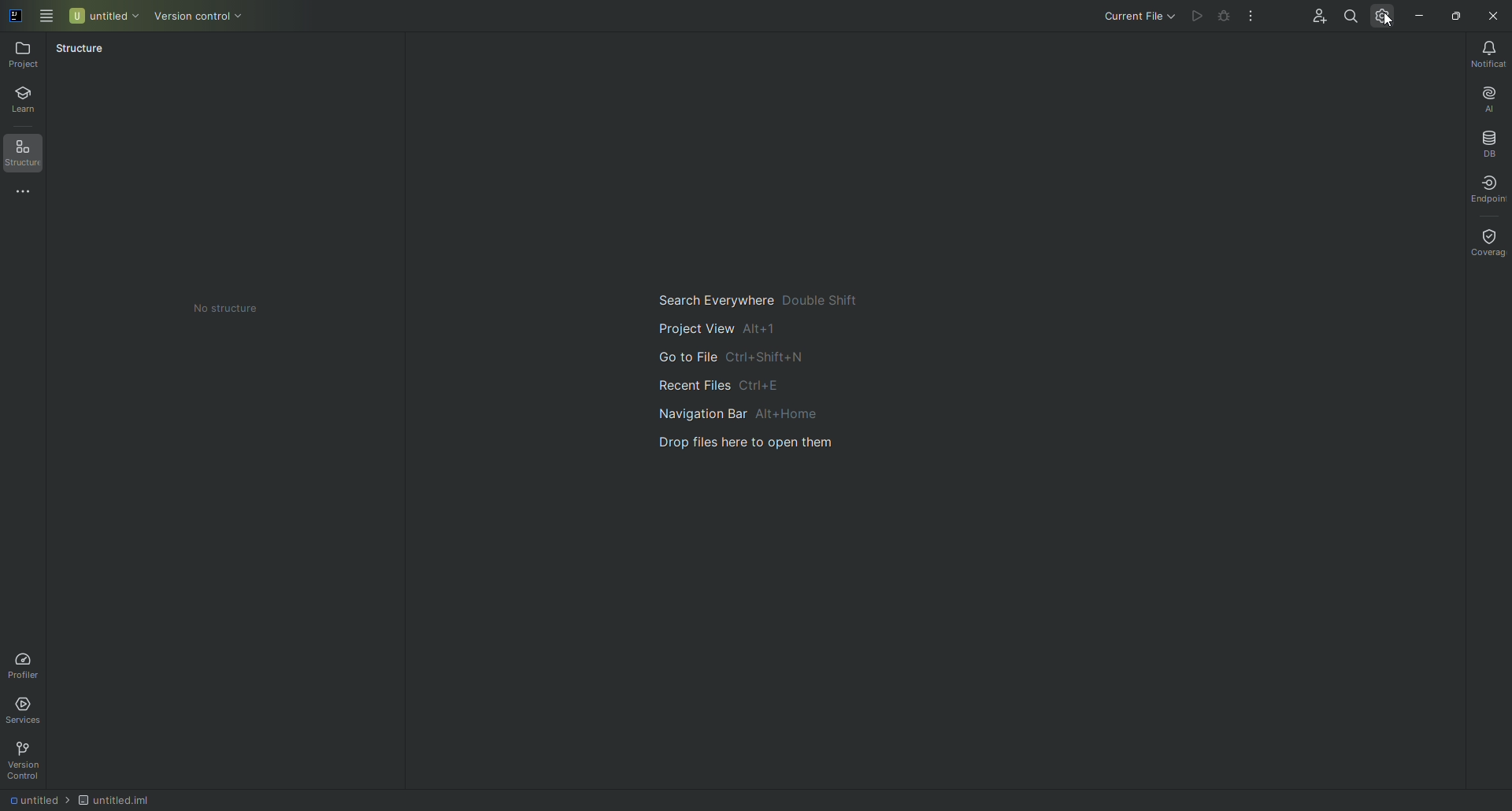 The image size is (1512, 811). What do you see at coordinates (1251, 17) in the screenshot?
I see `More Actions` at bounding box center [1251, 17].